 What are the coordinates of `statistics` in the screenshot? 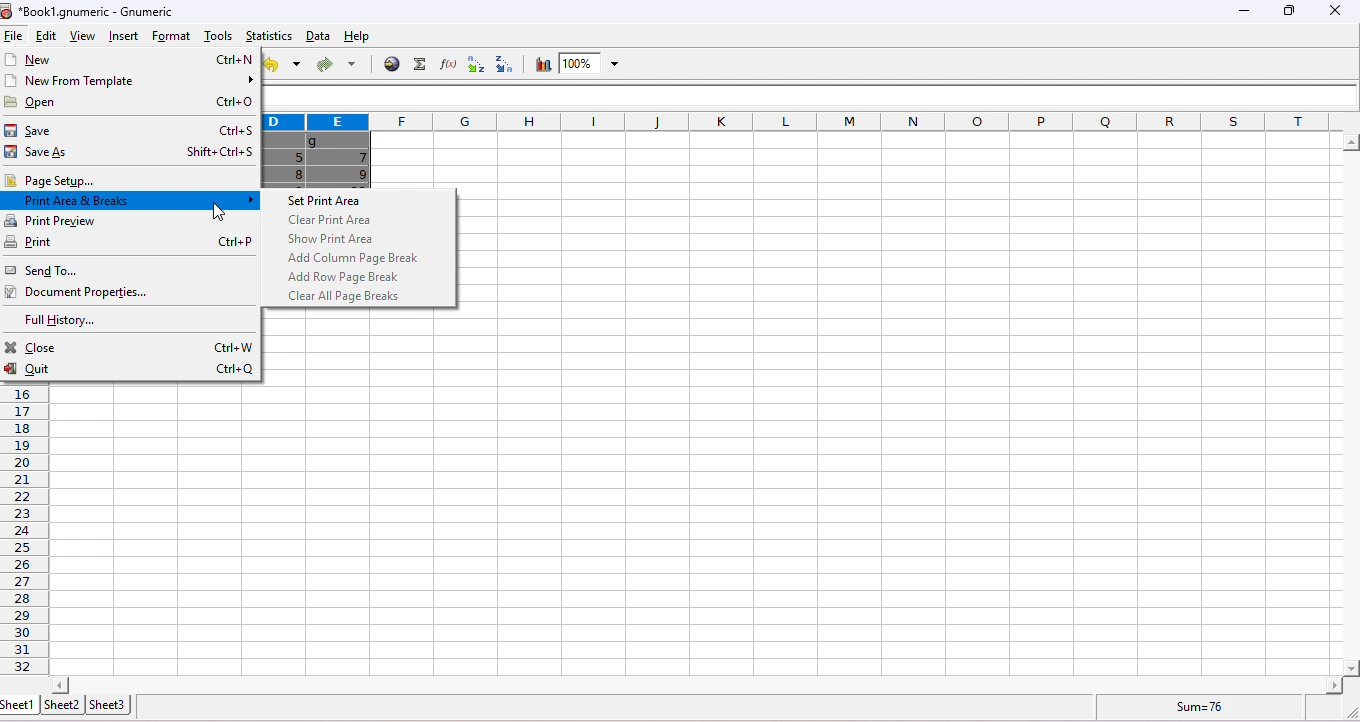 It's located at (267, 35).